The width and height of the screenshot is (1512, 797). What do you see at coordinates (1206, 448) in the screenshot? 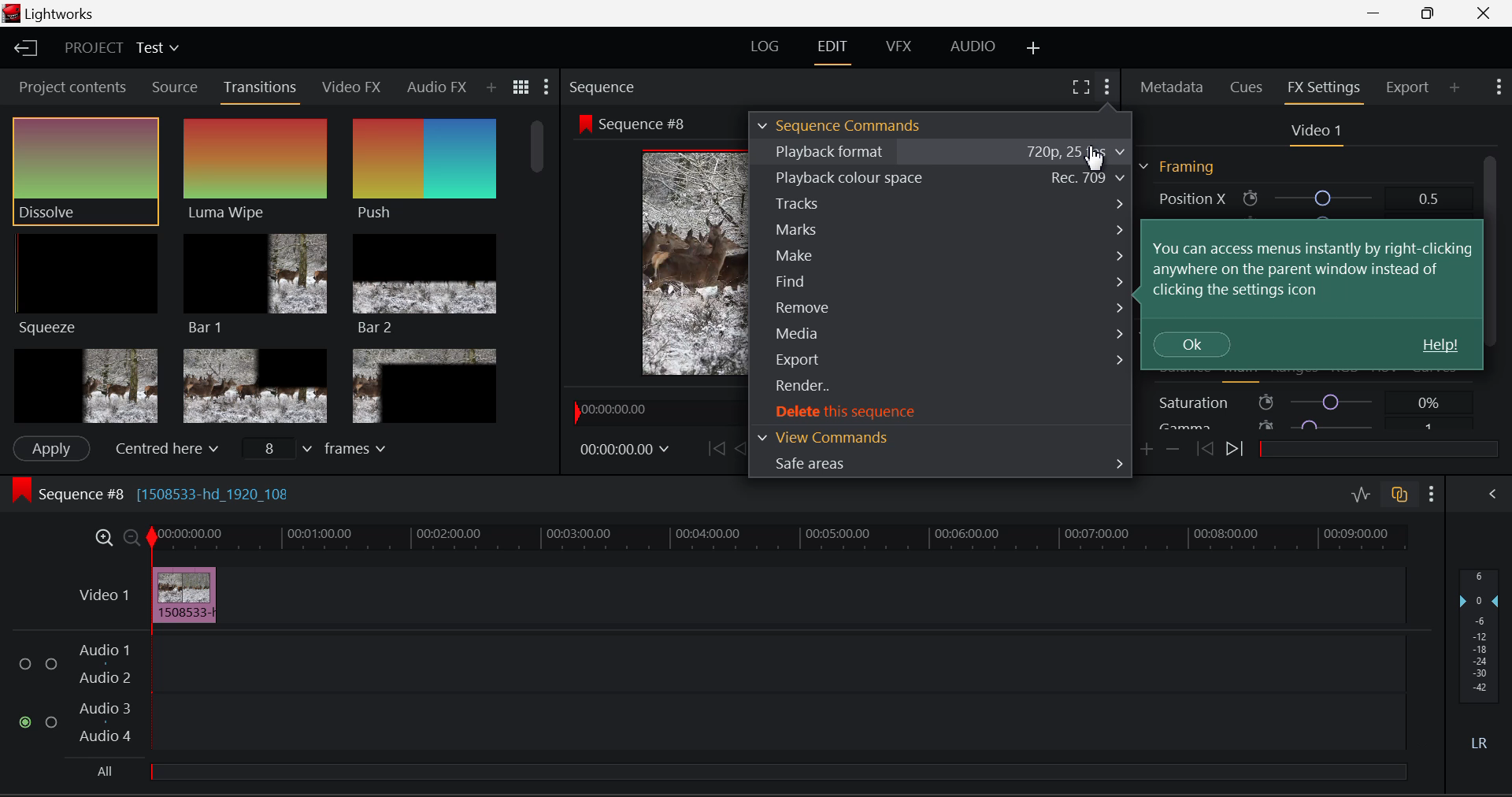
I see `Previous keyframe` at bounding box center [1206, 448].